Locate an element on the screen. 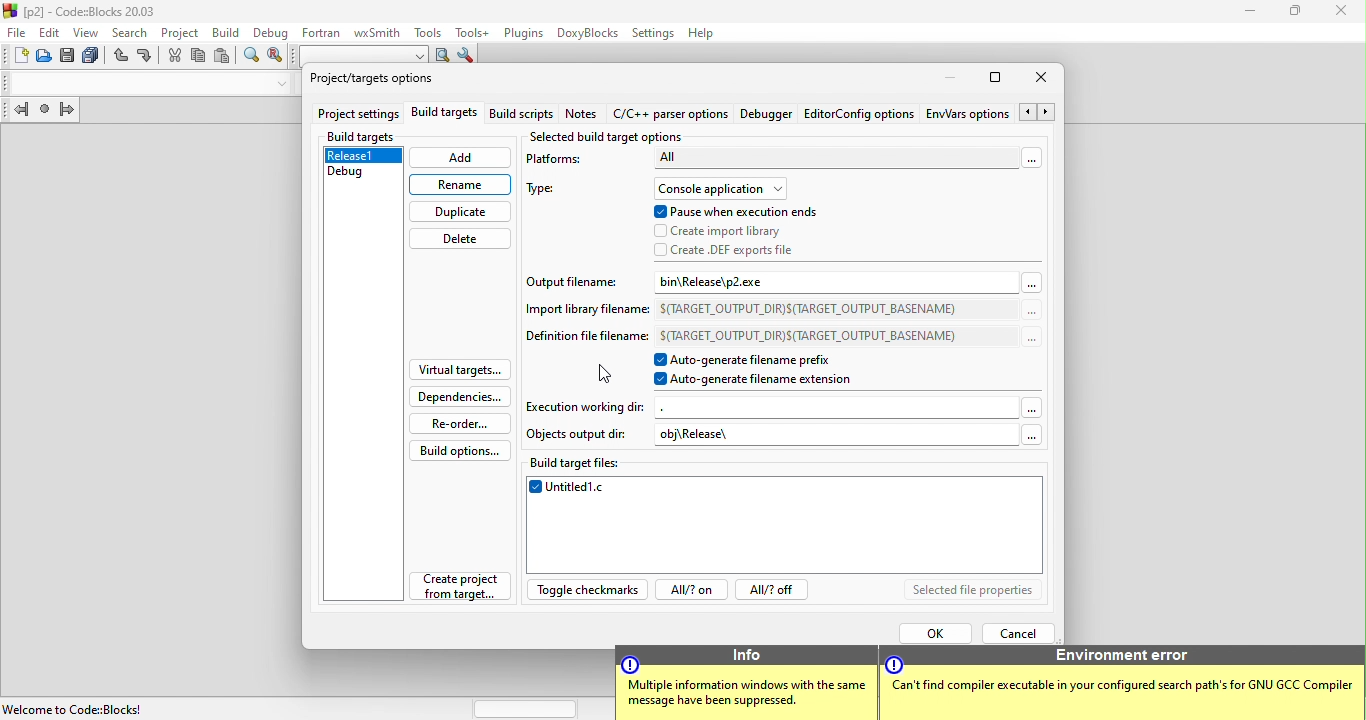 This screenshot has height=720, width=1366. add is located at coordinates (461, 158).